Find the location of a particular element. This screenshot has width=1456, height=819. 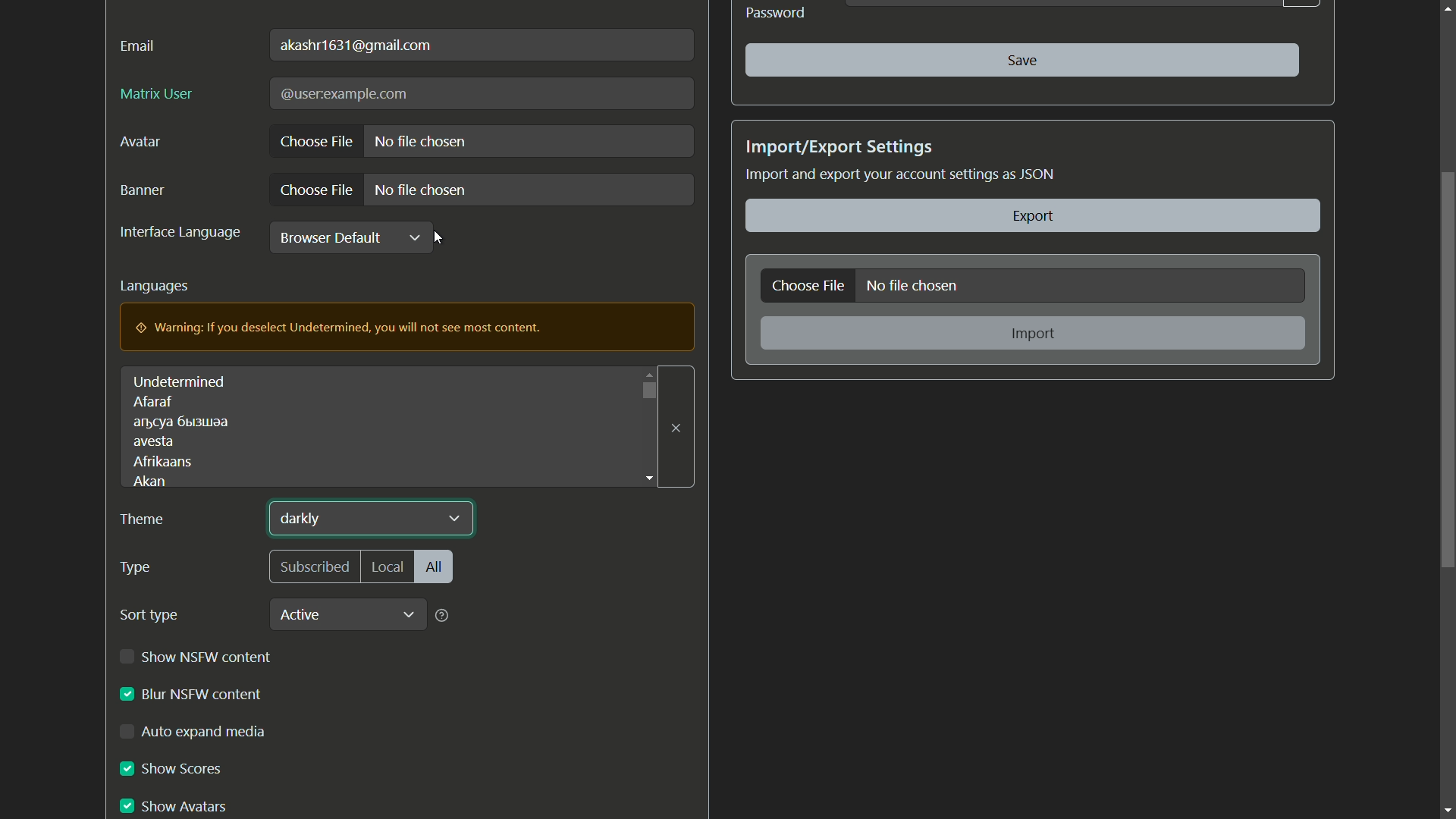

theme is located at coordinates (143, 520).